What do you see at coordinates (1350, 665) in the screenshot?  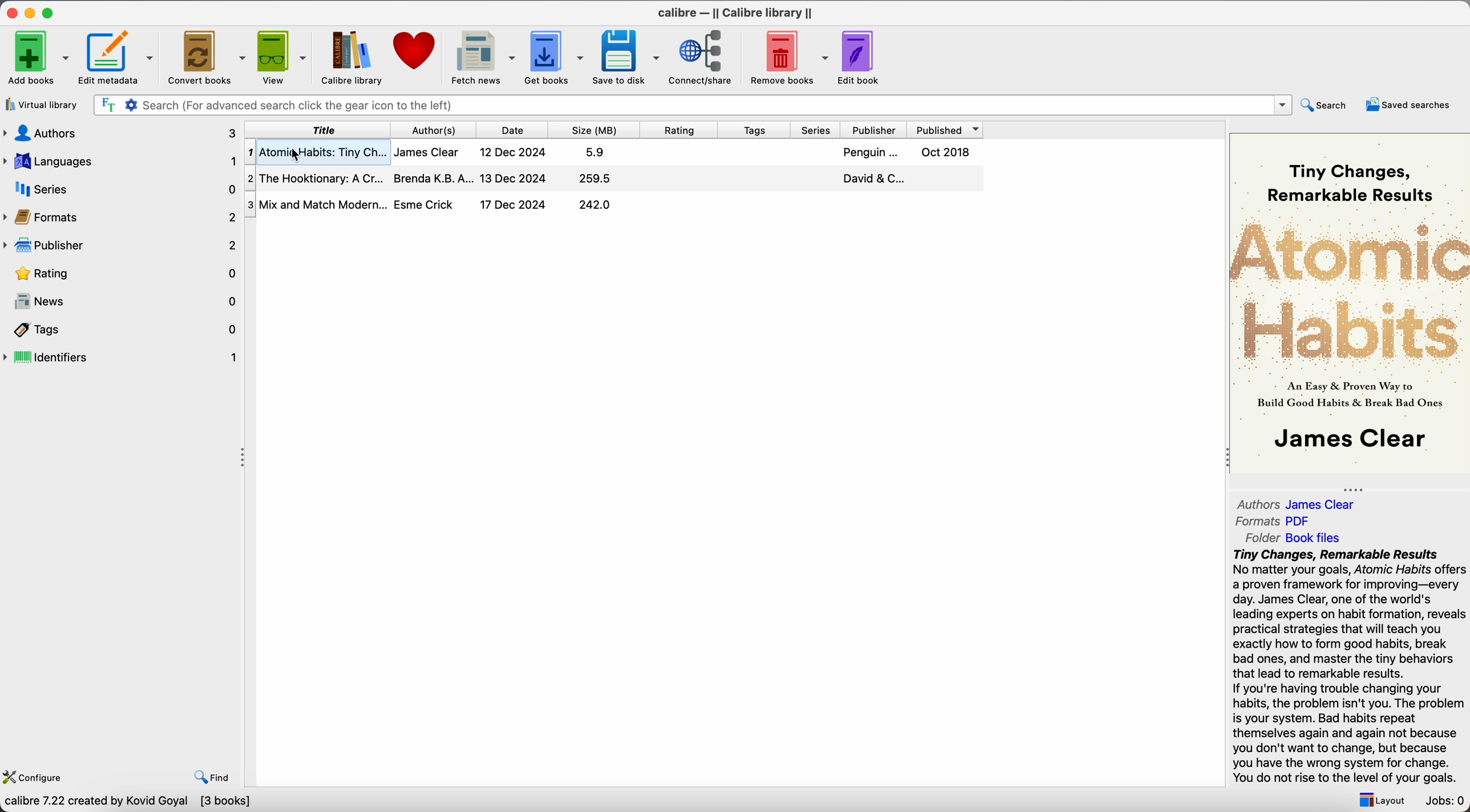 I see `synopsys` at bounding box center [1350, 665].